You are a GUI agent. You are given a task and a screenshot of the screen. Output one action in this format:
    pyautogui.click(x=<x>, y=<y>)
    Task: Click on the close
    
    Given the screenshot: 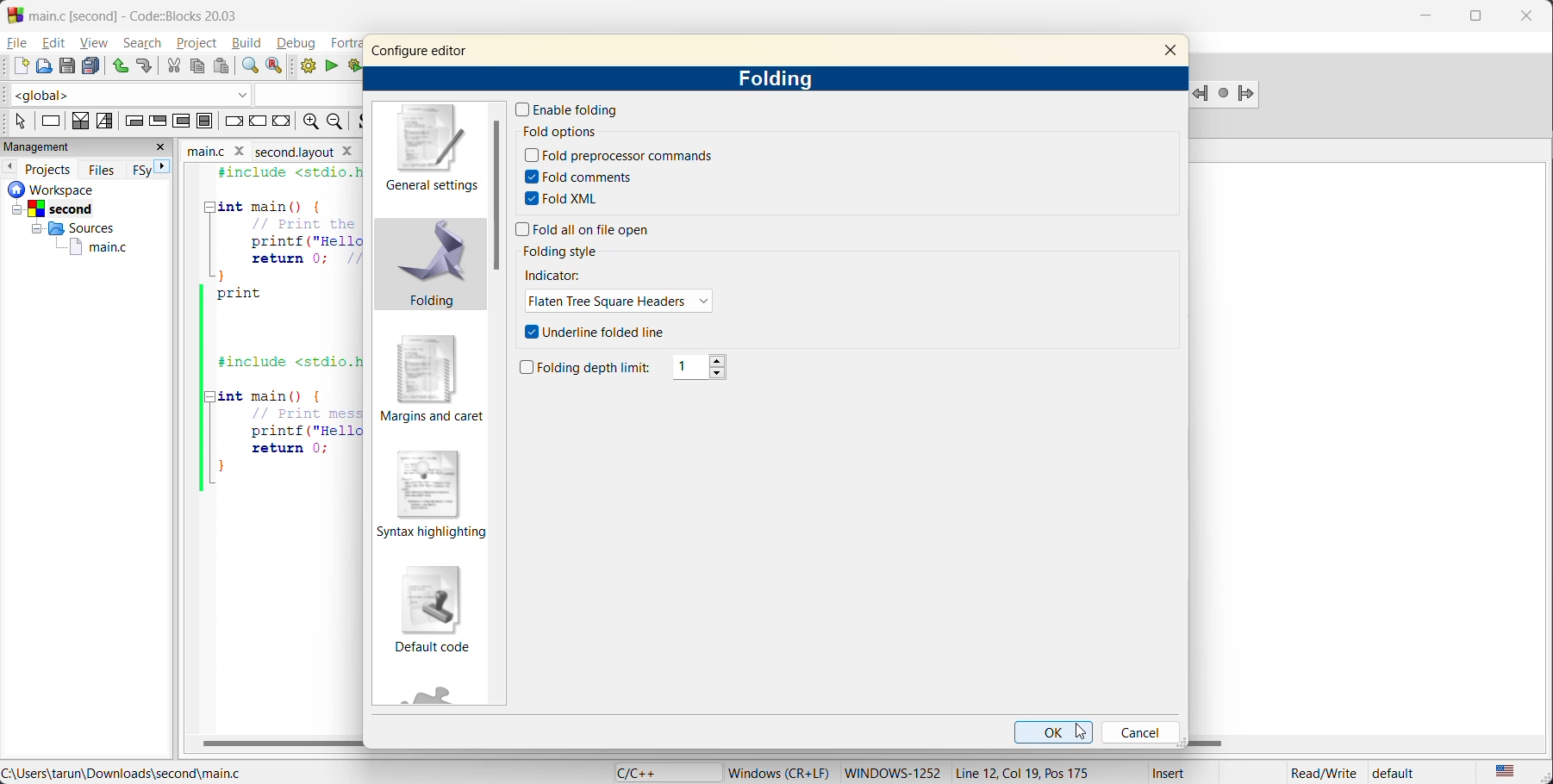 What is the action you would take?
    pyautogui.click(x=1529, y=17)
    